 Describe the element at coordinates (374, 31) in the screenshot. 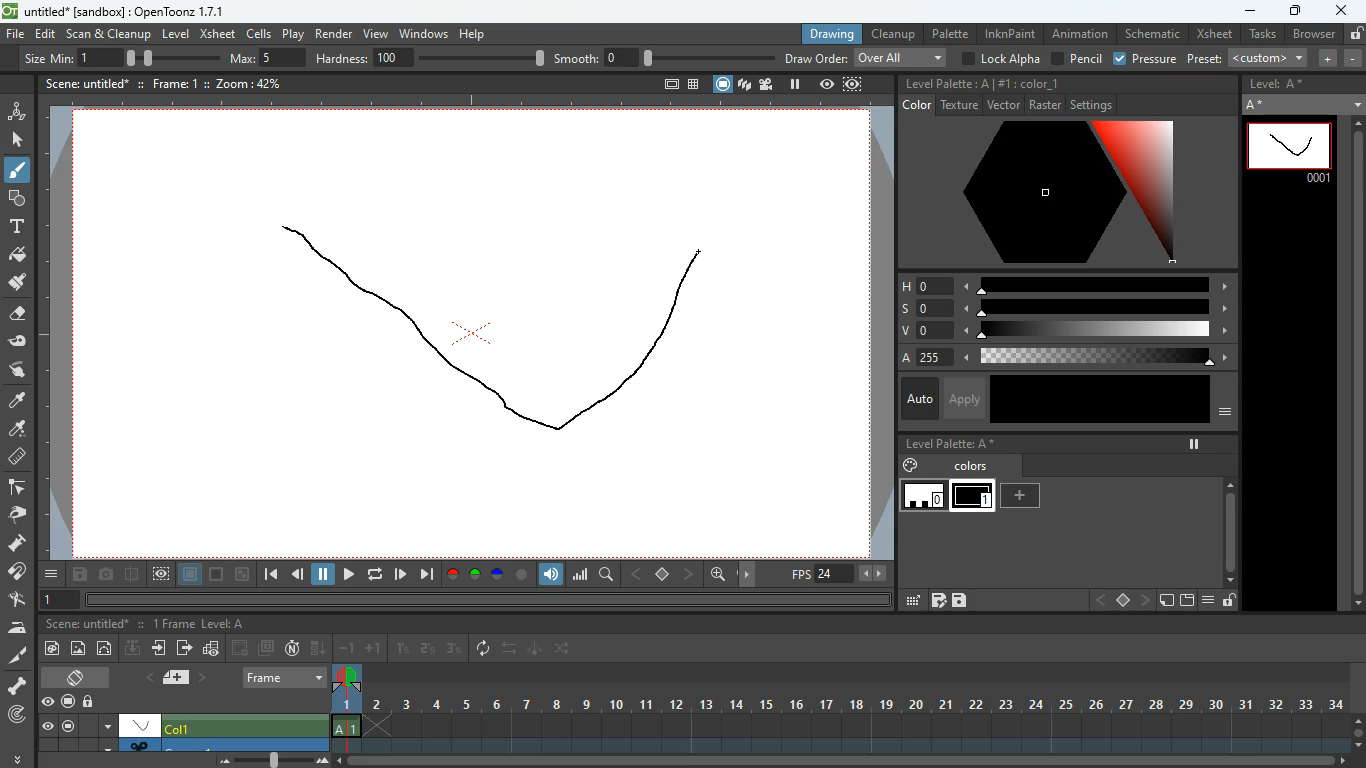

I see `view` at that location.